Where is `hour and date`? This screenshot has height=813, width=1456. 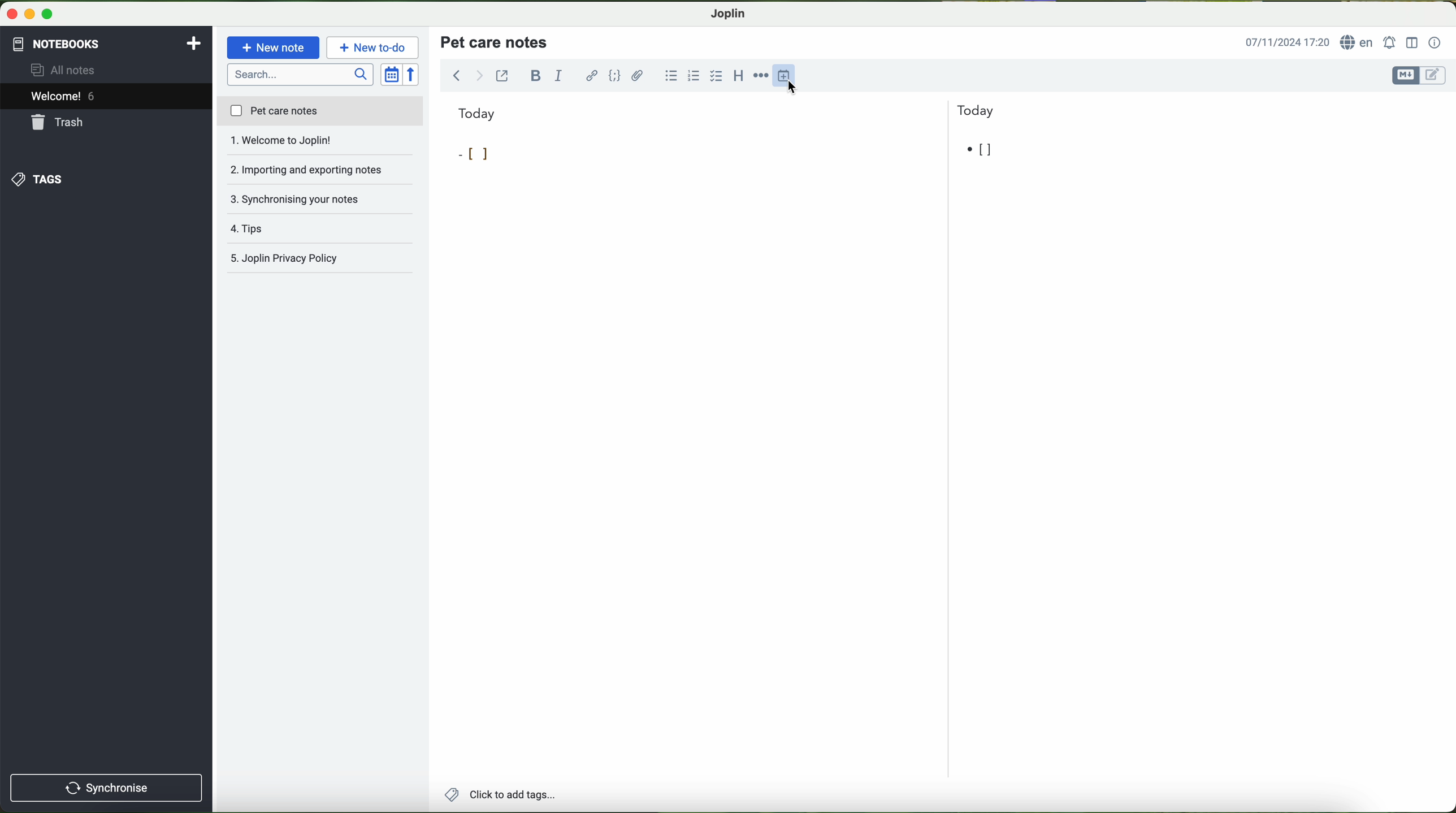 hour and date is located at coordinates (1286, 43).